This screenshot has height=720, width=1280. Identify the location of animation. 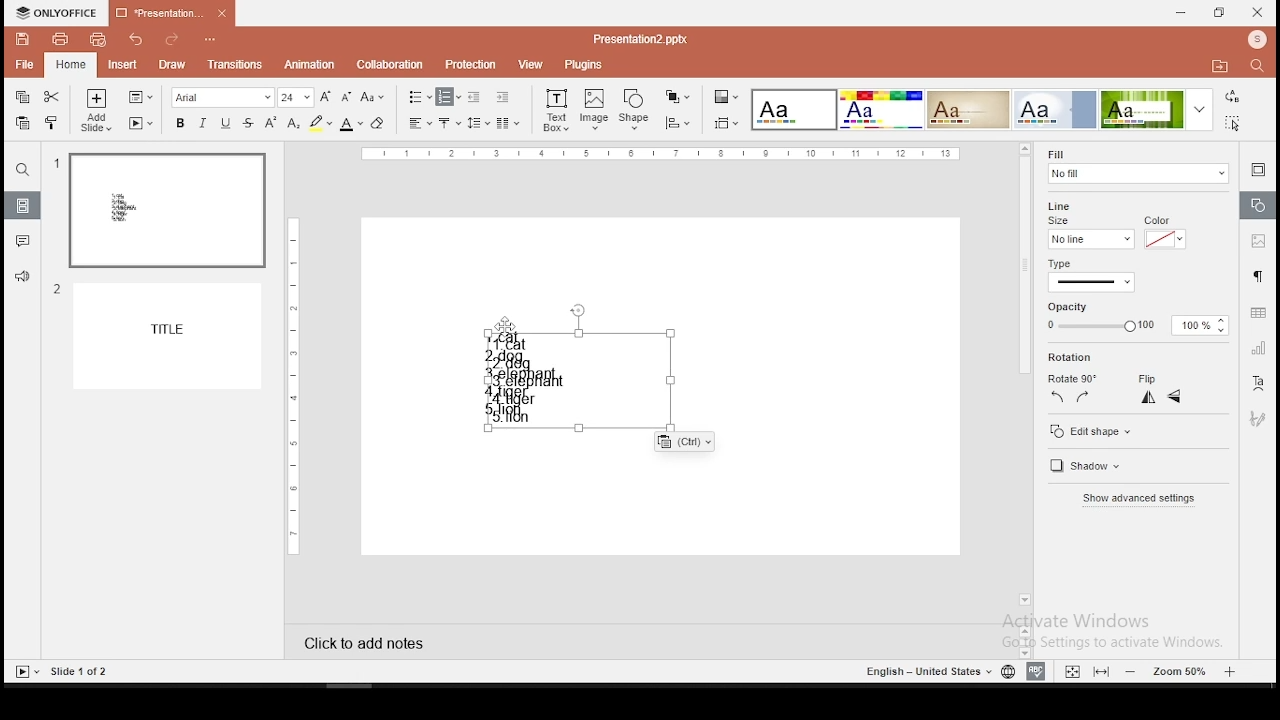
(311, 65).